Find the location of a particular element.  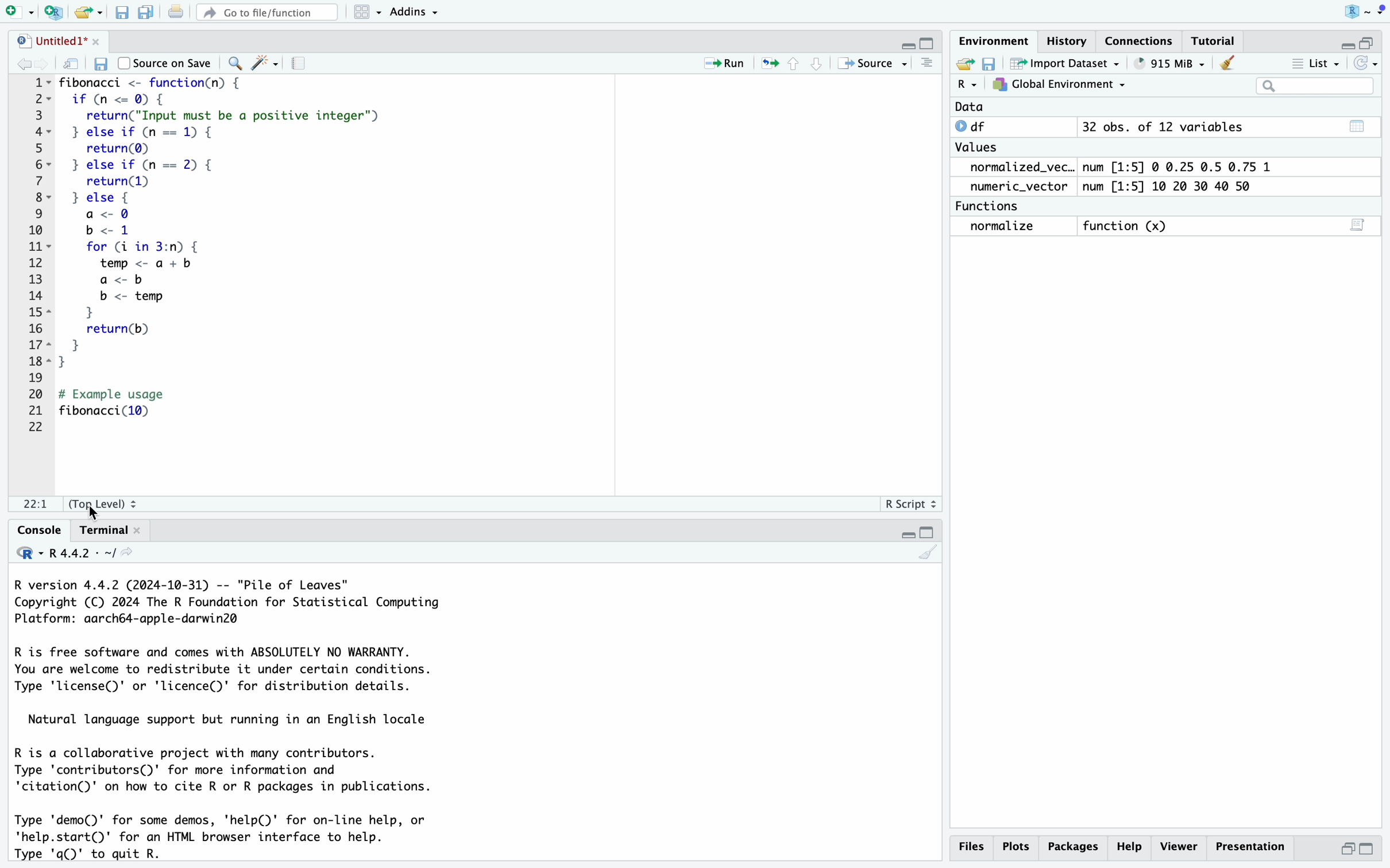

save current document is located at coordinates (122, 13).